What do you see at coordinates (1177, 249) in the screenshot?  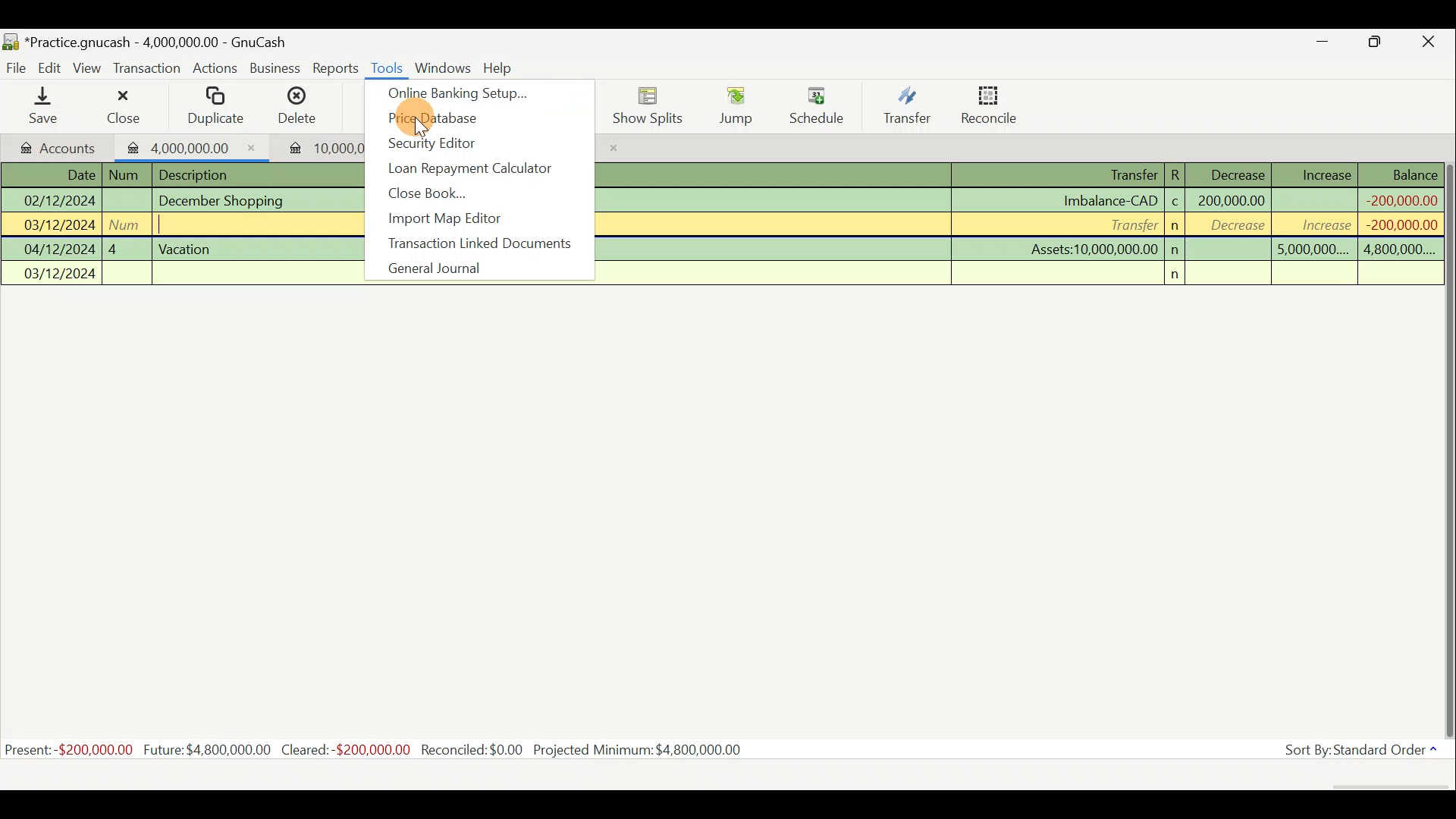 I see `n` at bounding box center [1177, 249].